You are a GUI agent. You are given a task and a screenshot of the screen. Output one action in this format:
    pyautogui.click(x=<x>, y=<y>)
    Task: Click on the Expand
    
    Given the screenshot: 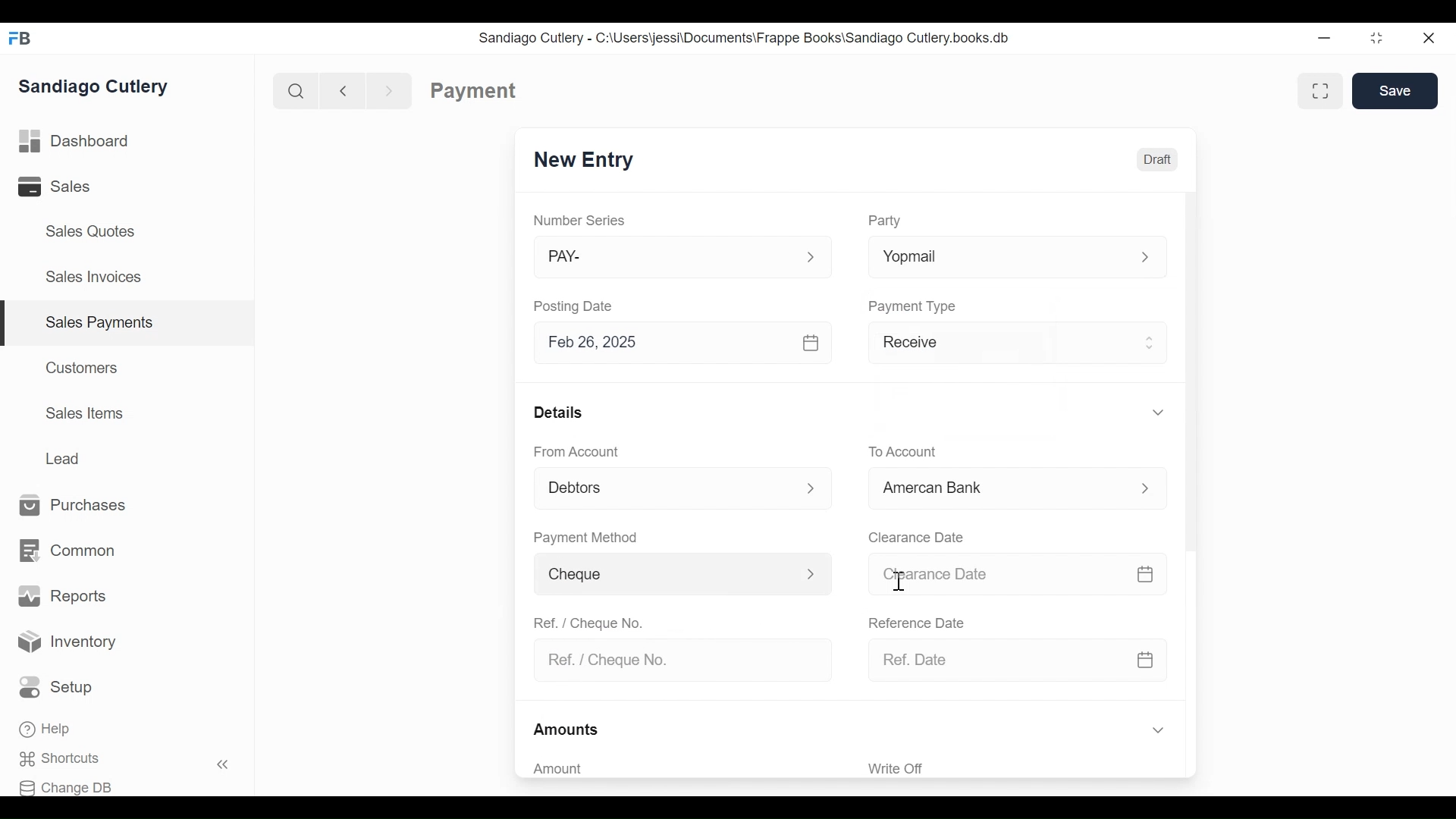 What is the action you would take?
    pyautogui.click(x=814, y=488)
    